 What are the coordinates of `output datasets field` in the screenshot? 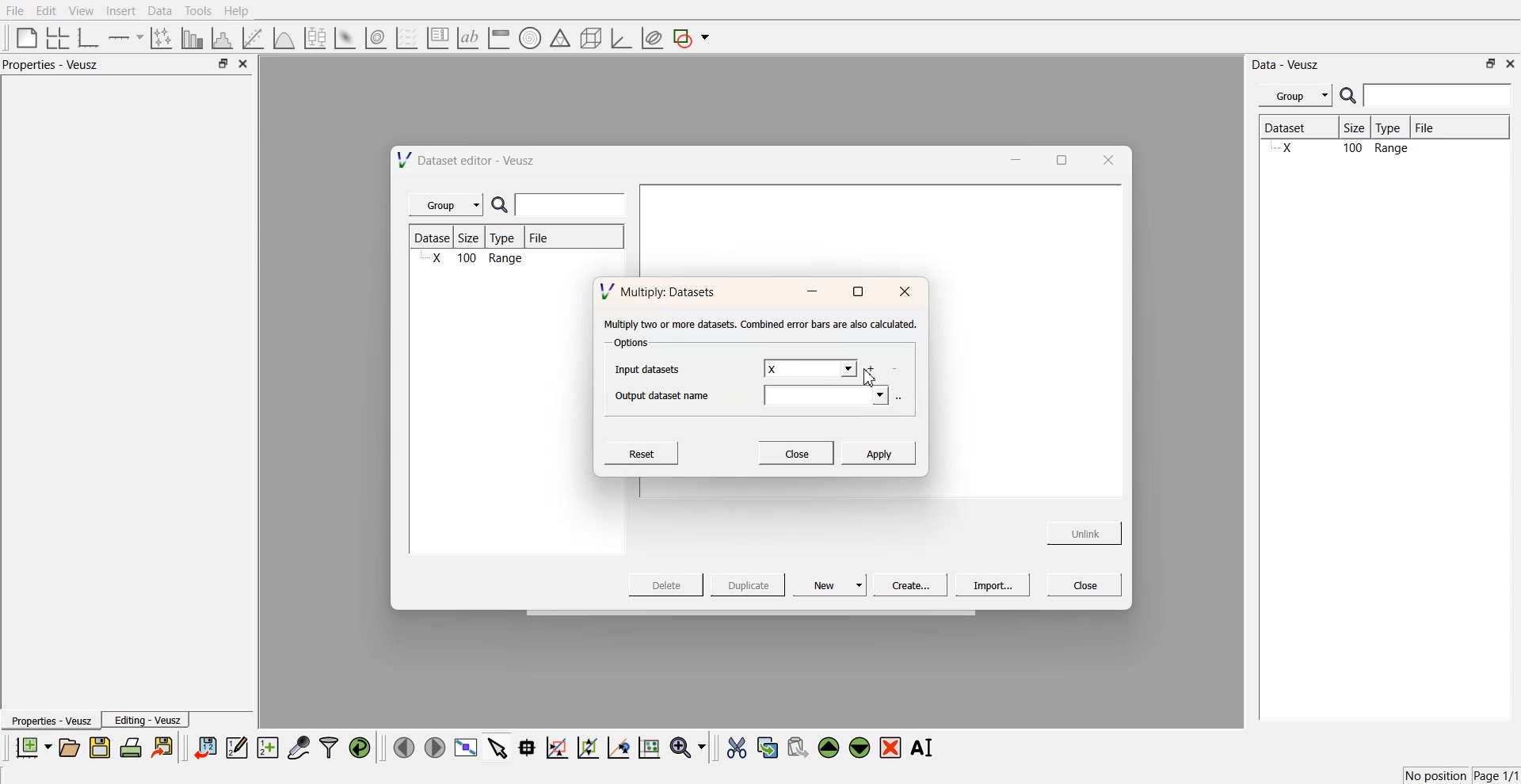 It's located at (826, 396).